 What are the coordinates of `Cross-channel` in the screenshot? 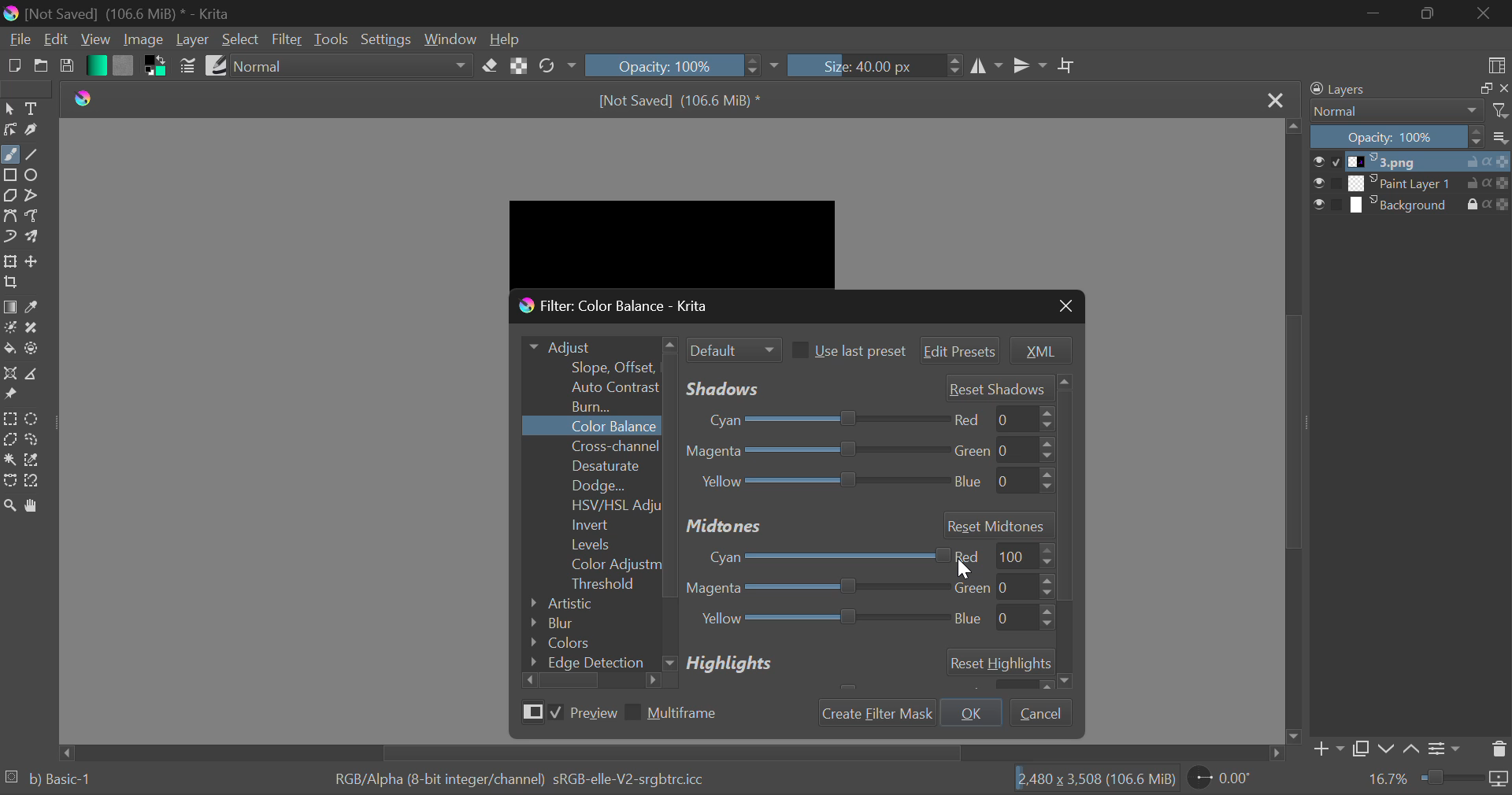 It's located at (591, 446).